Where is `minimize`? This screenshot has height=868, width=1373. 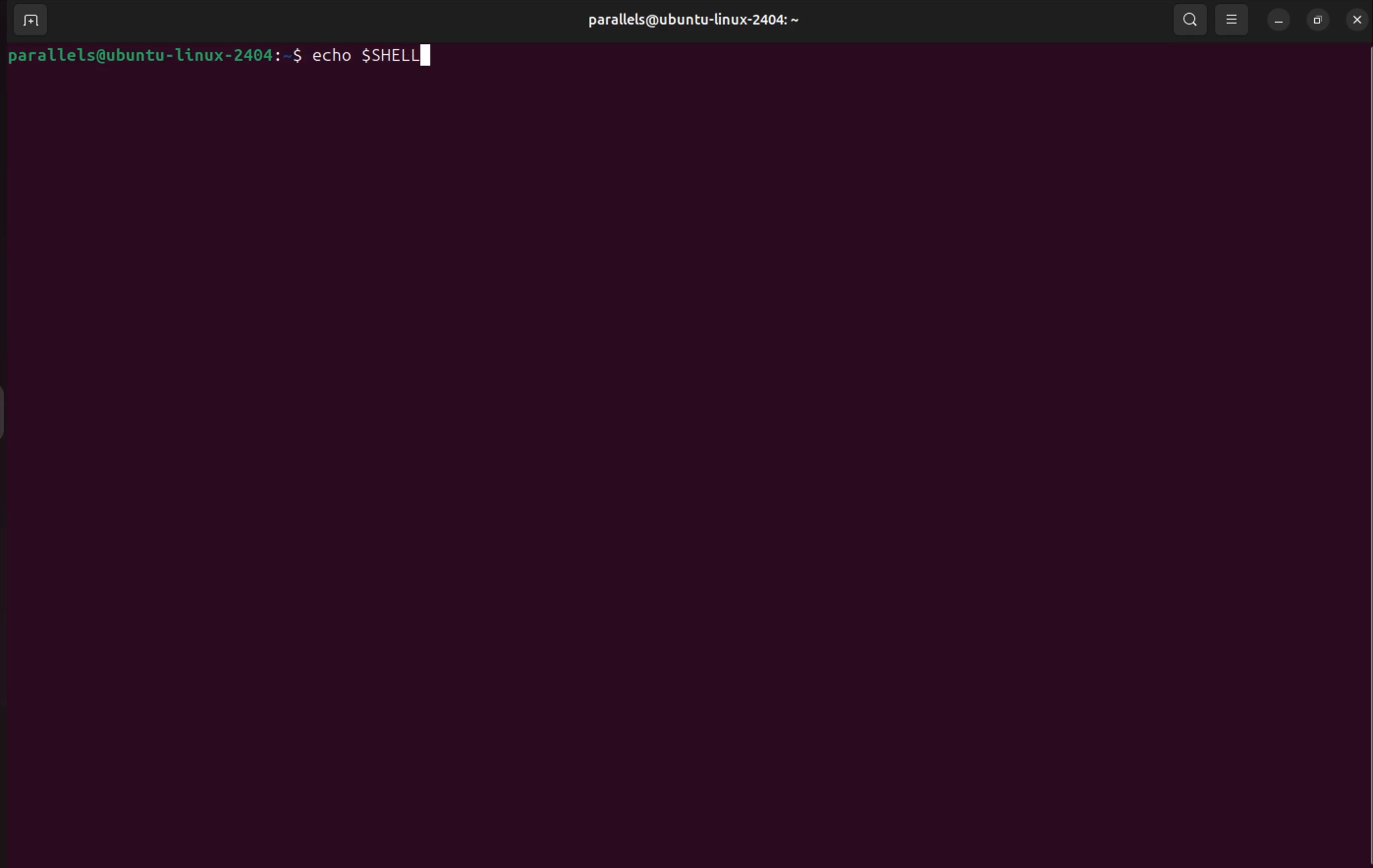
minimize is located at coordinates (1278, 21).